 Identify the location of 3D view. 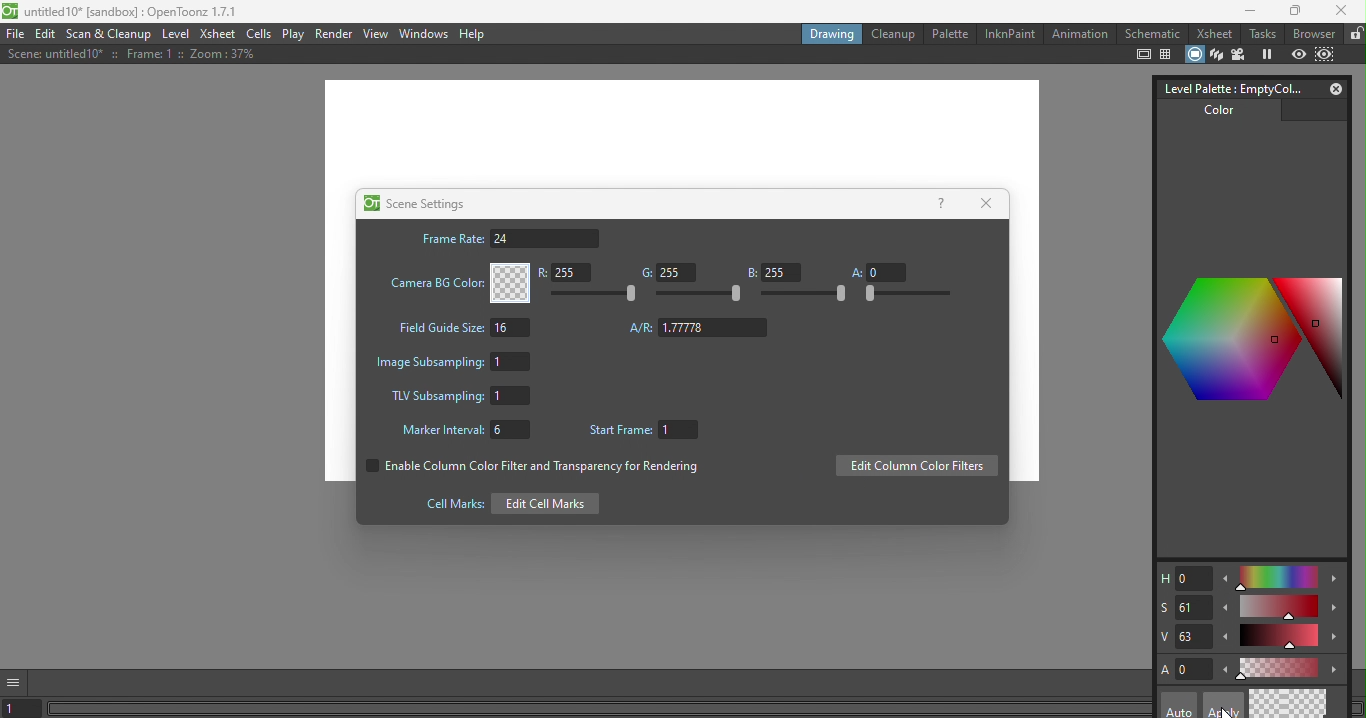
(1215, 53).